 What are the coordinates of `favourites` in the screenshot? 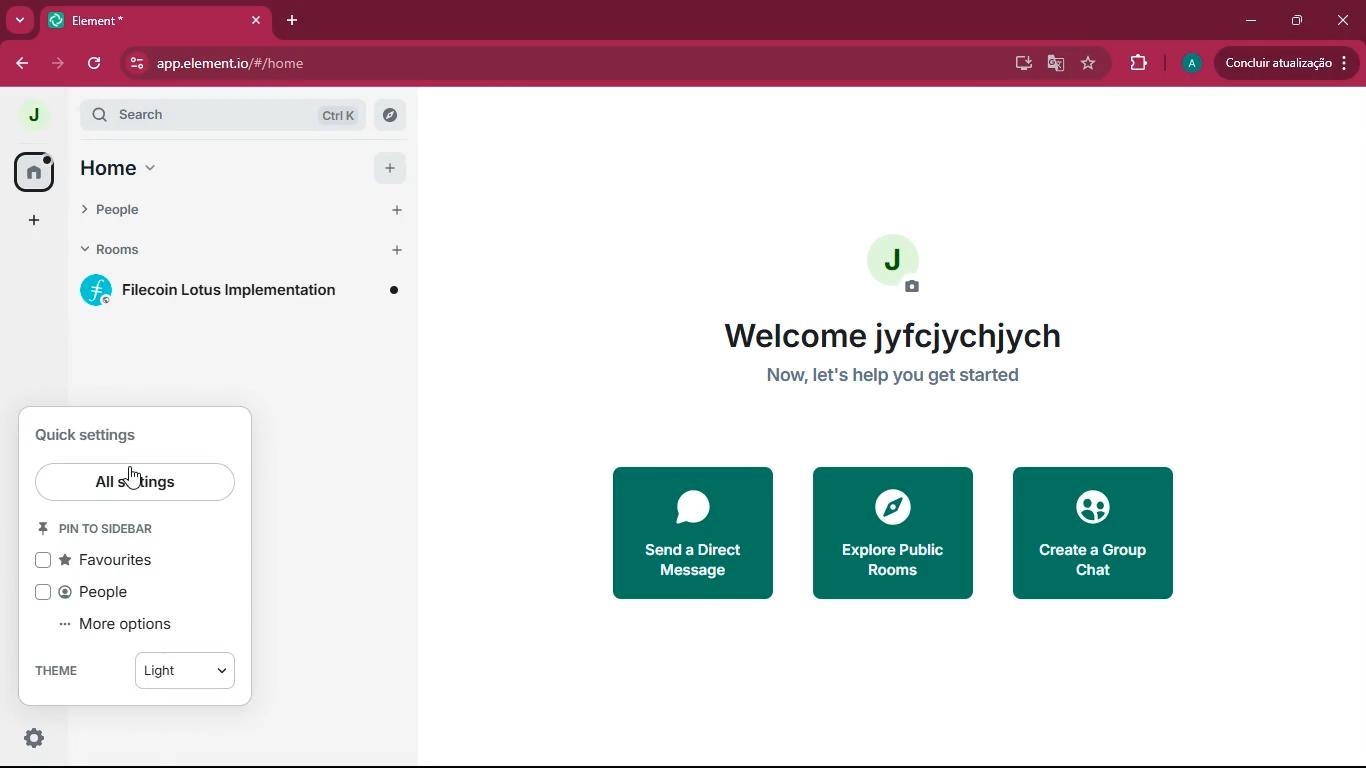 It's located at (108, 562).